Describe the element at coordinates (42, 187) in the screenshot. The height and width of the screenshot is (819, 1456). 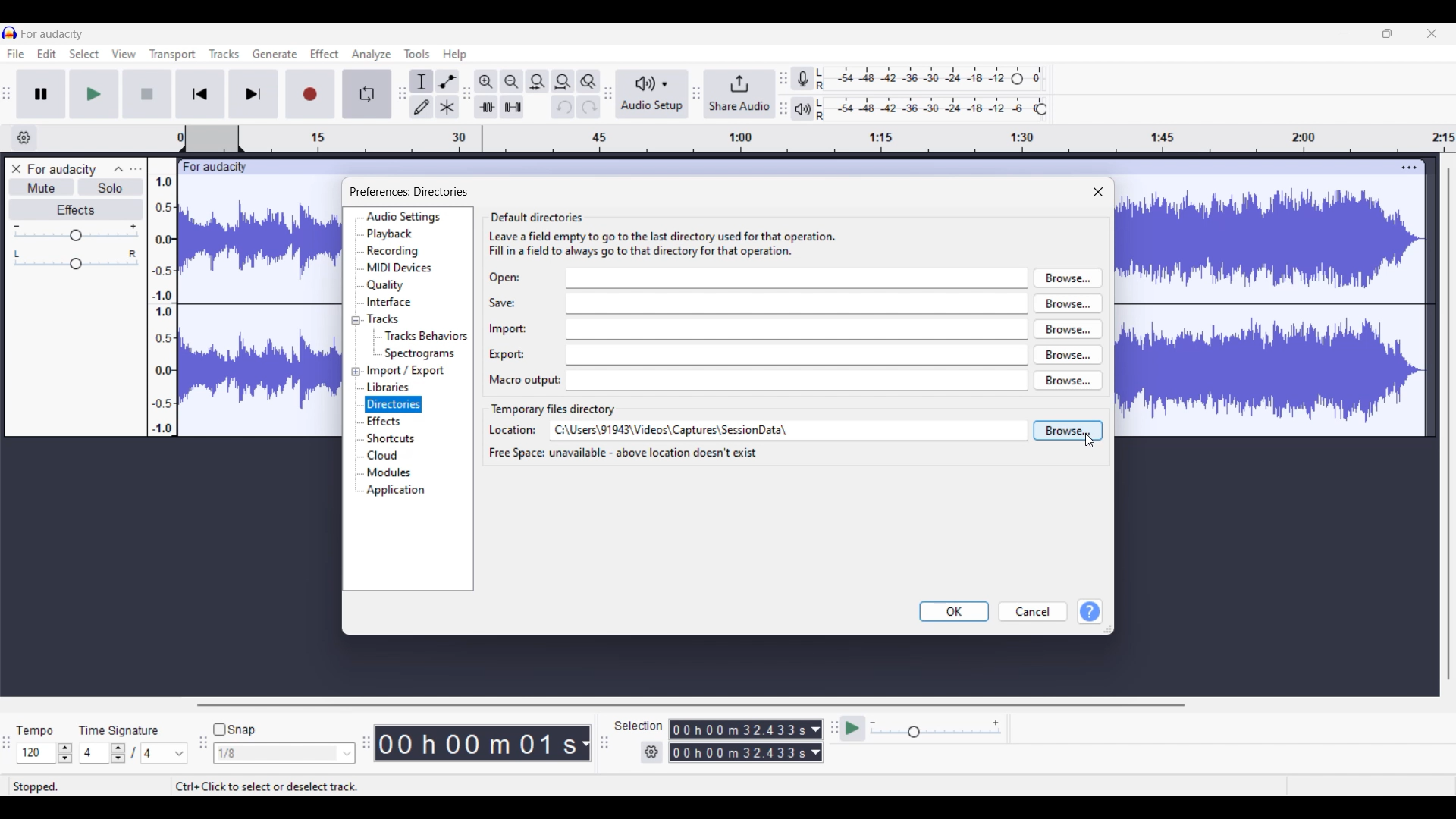
I see `Mute` at that location.